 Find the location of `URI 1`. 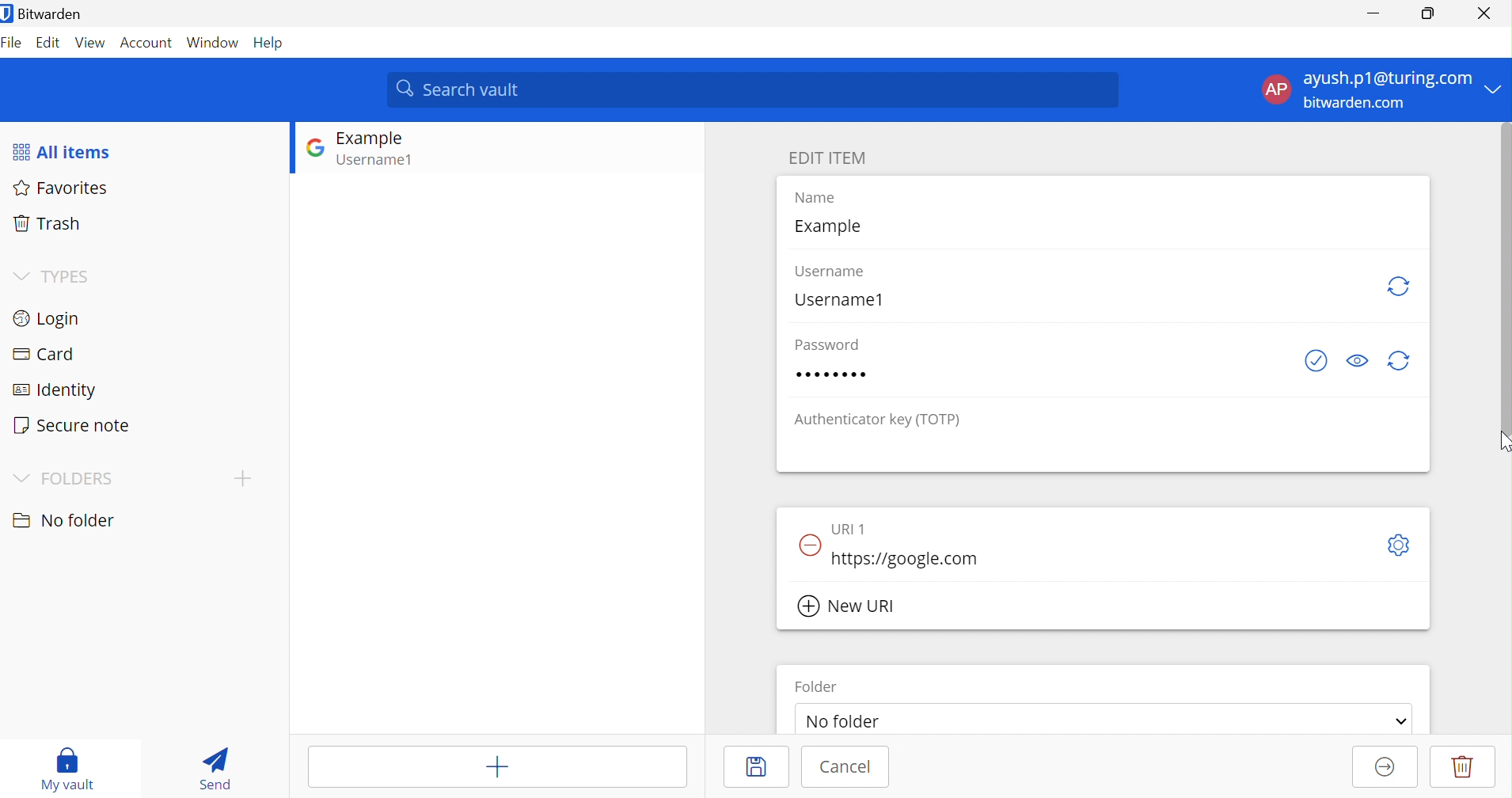

URI 1 is located at coordinates (852, 526).